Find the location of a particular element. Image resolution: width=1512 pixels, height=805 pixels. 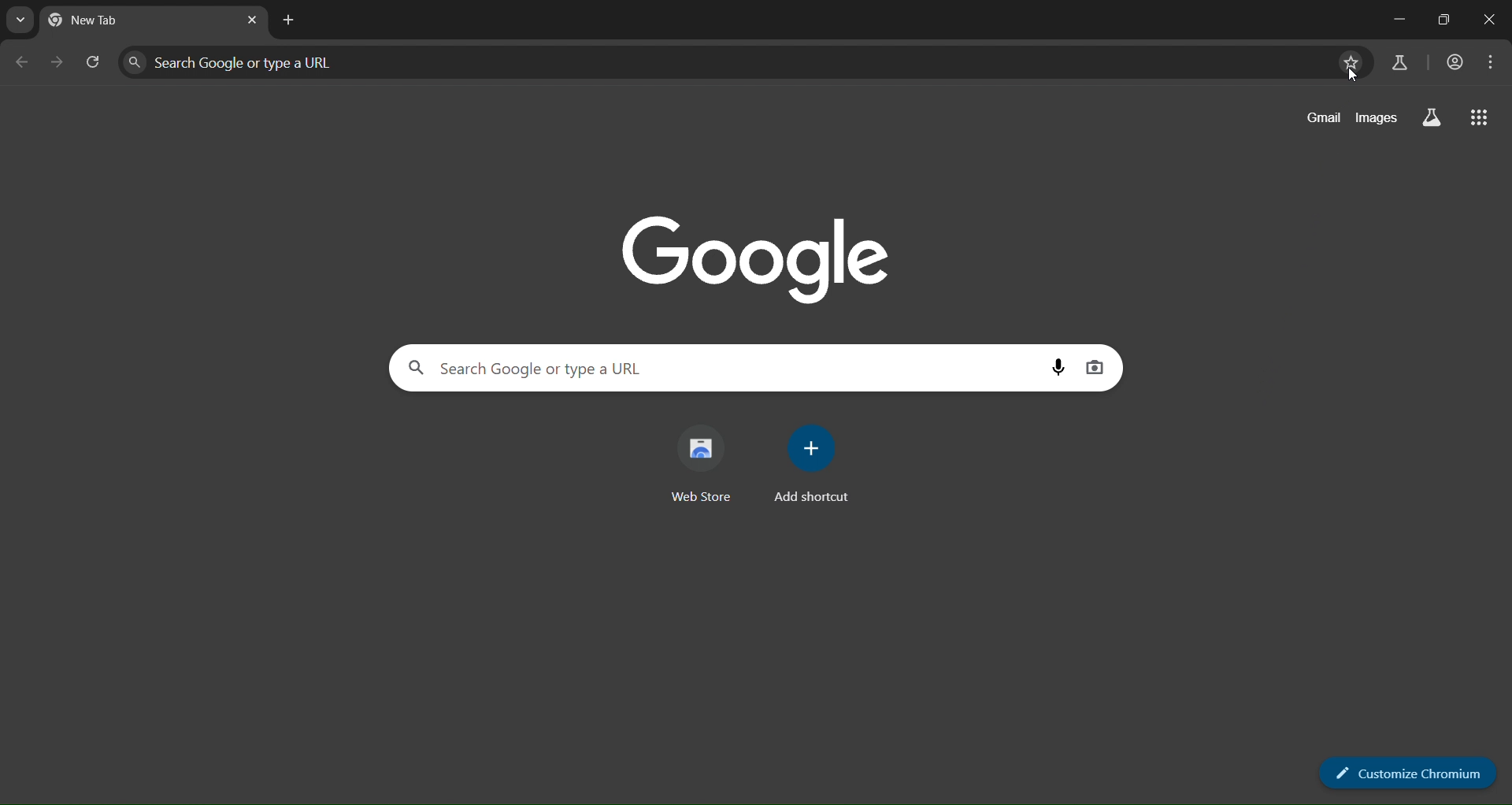

google apps is located at coordinates (1477, 121).